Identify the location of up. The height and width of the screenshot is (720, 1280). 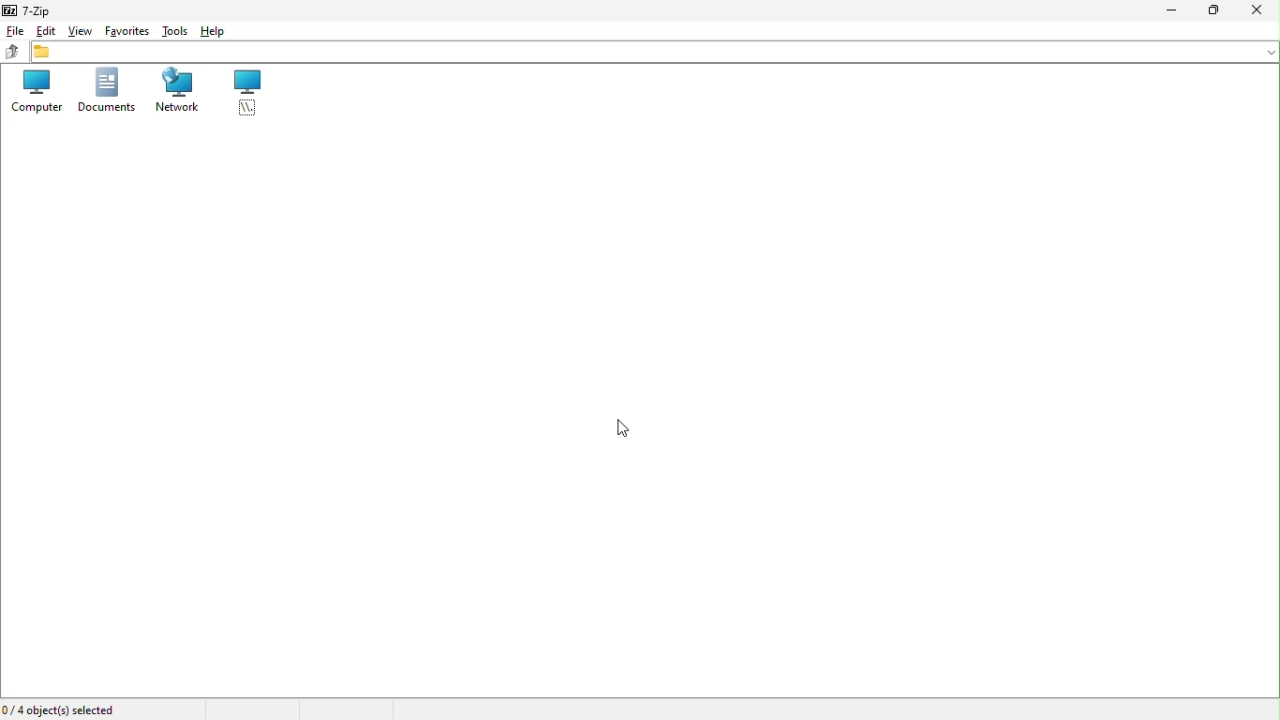
(14, 53).